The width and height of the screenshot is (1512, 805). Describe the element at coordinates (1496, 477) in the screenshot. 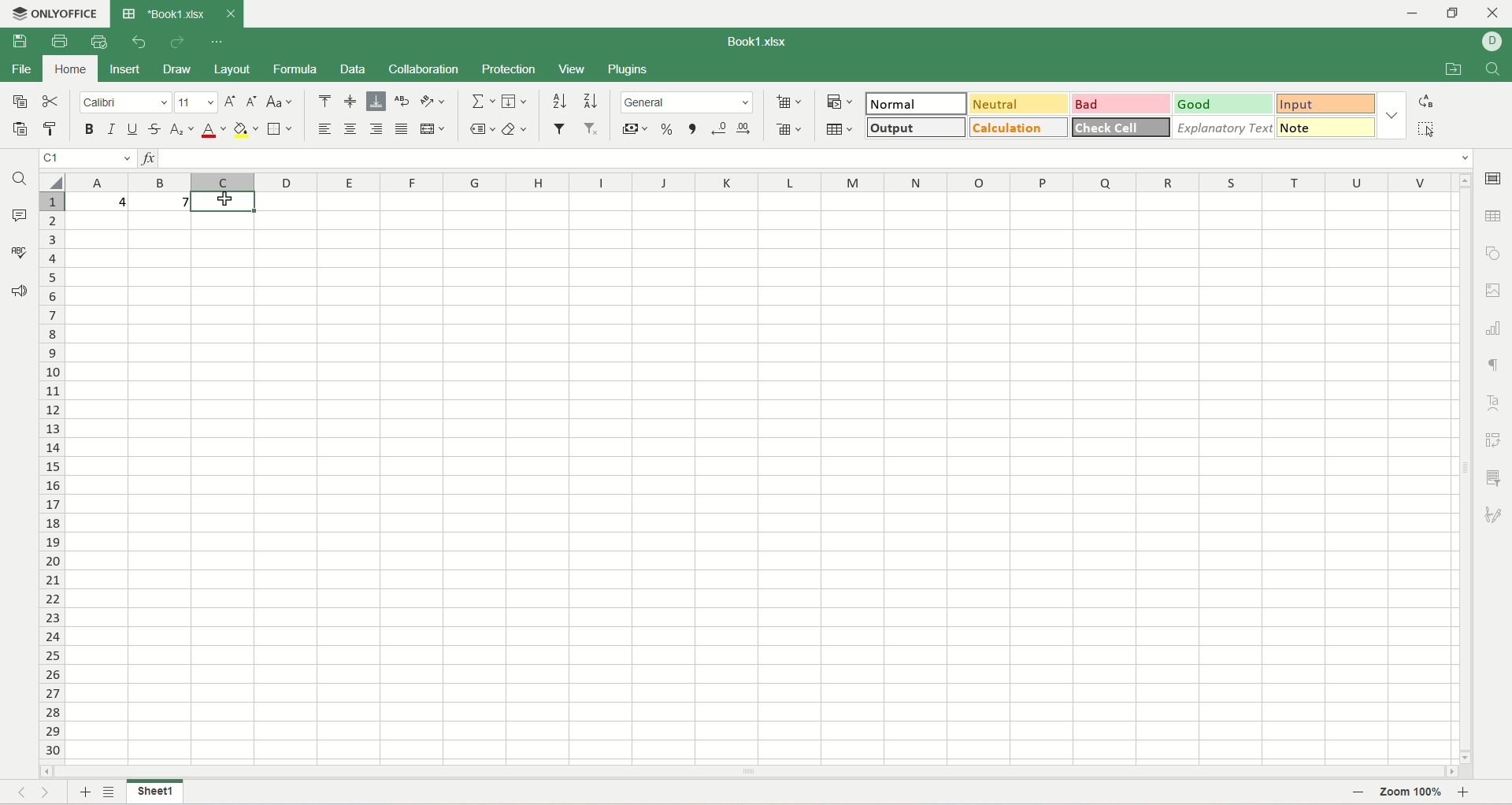

I see `slicer settings` at that location.